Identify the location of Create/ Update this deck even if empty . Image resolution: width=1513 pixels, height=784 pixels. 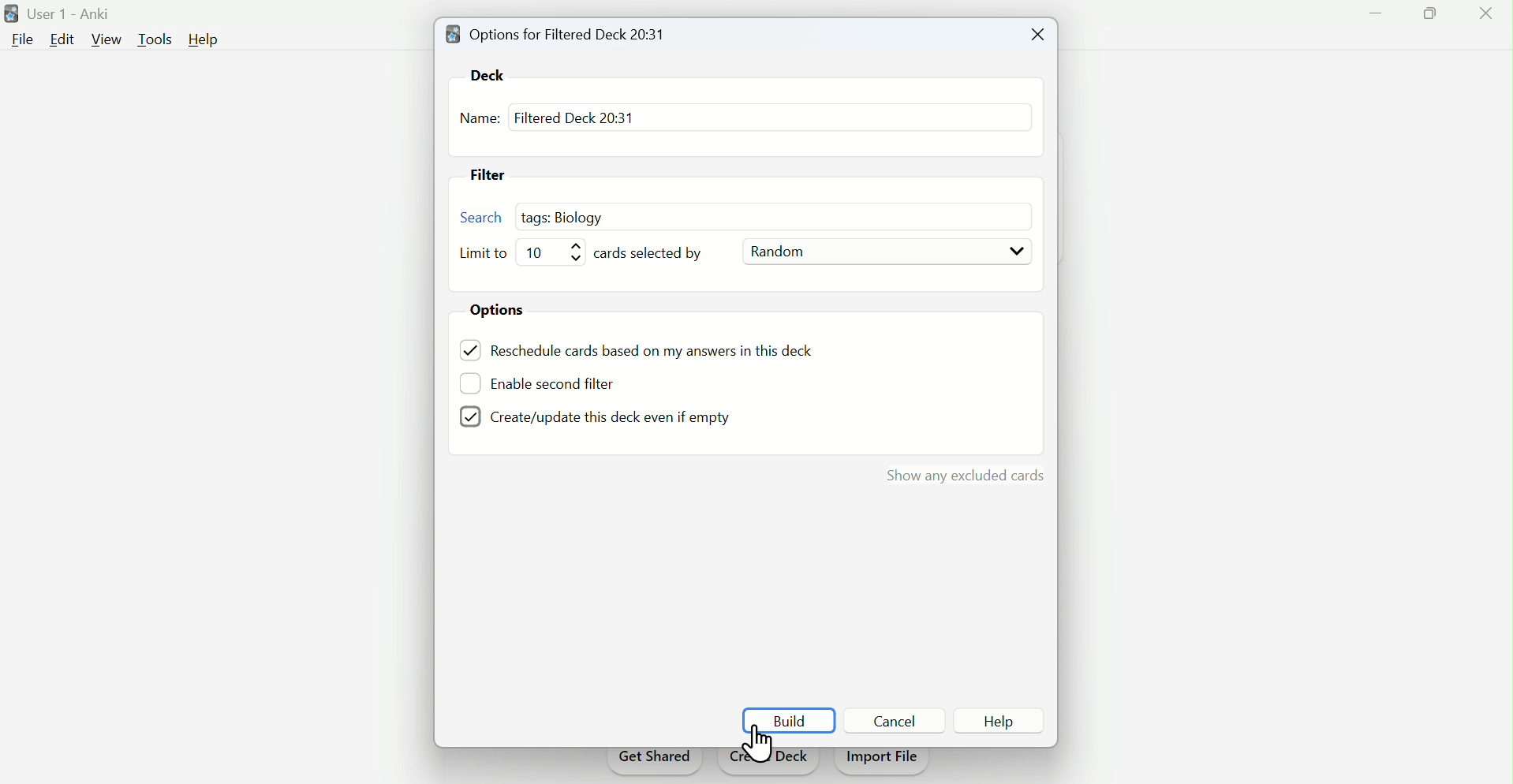
(592, 416).